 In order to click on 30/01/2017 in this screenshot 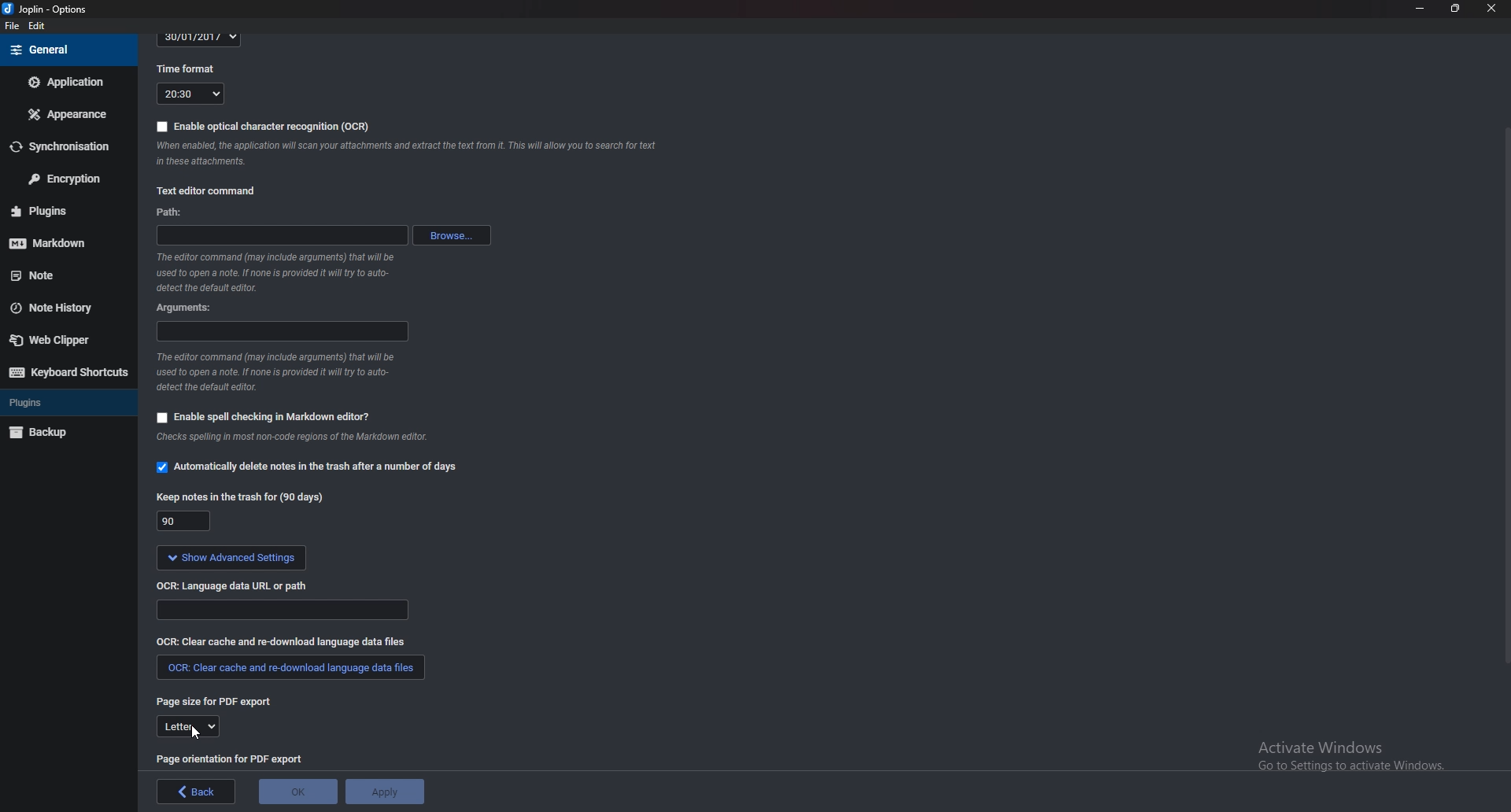, I will do `click(200, 39)`.